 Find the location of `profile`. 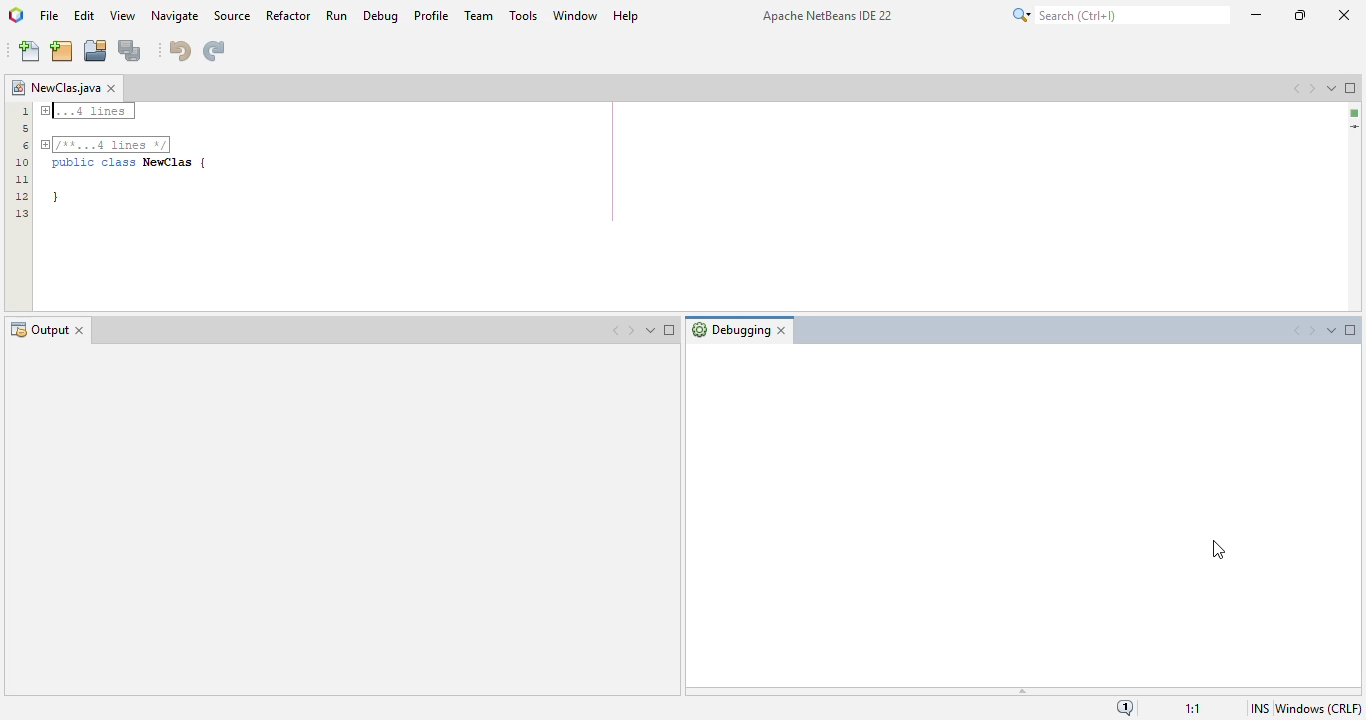

profile is located at coordinates (430, 15).